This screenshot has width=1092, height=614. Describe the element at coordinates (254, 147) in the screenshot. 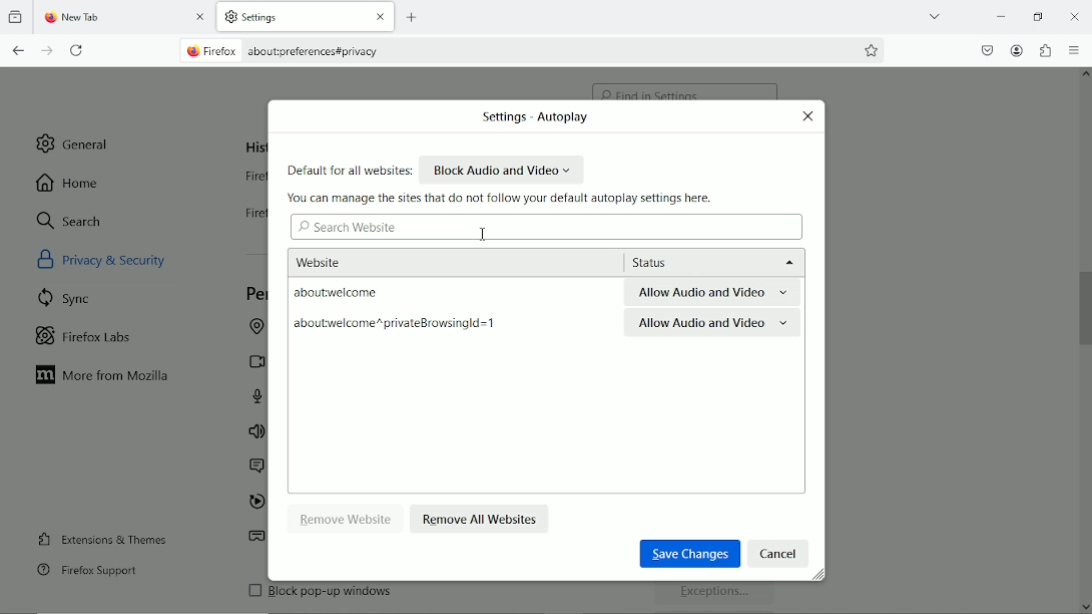

I see `history` at that location.